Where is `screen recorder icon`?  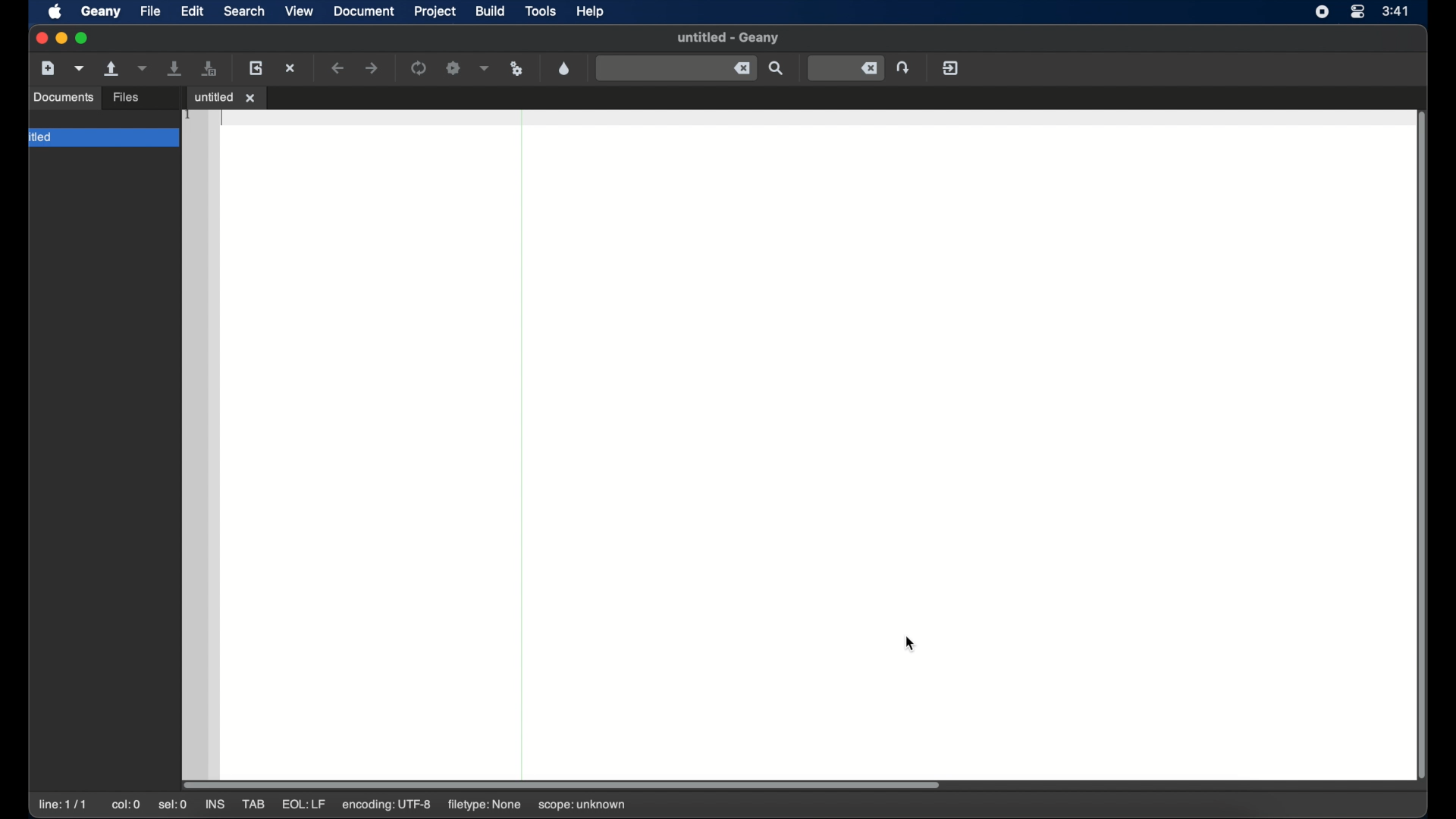 screen recorder icon is located at coordinates (1322, 12).